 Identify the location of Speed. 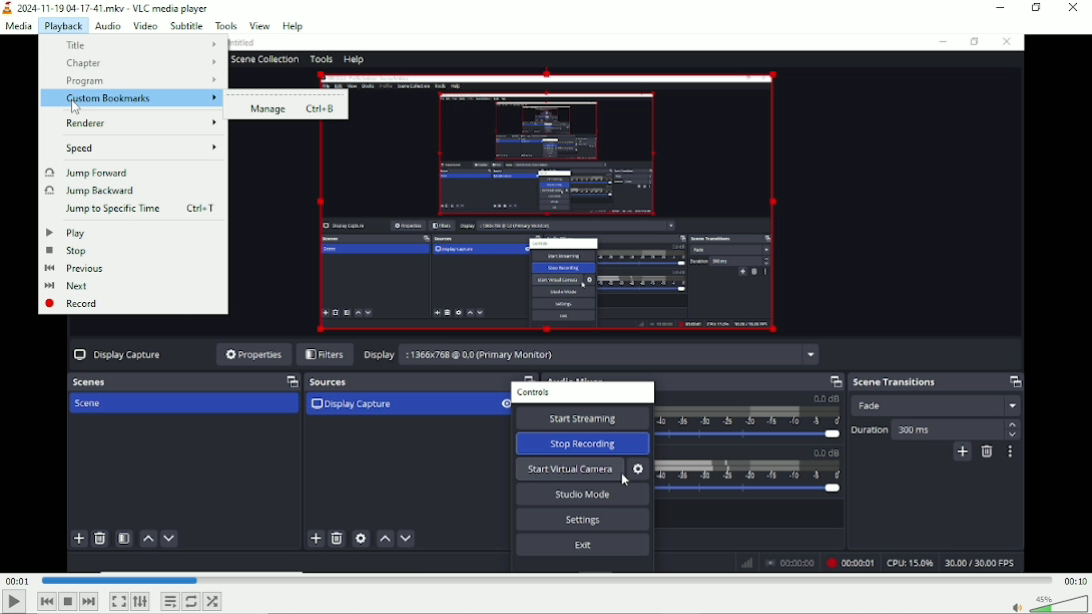
(141, 148).